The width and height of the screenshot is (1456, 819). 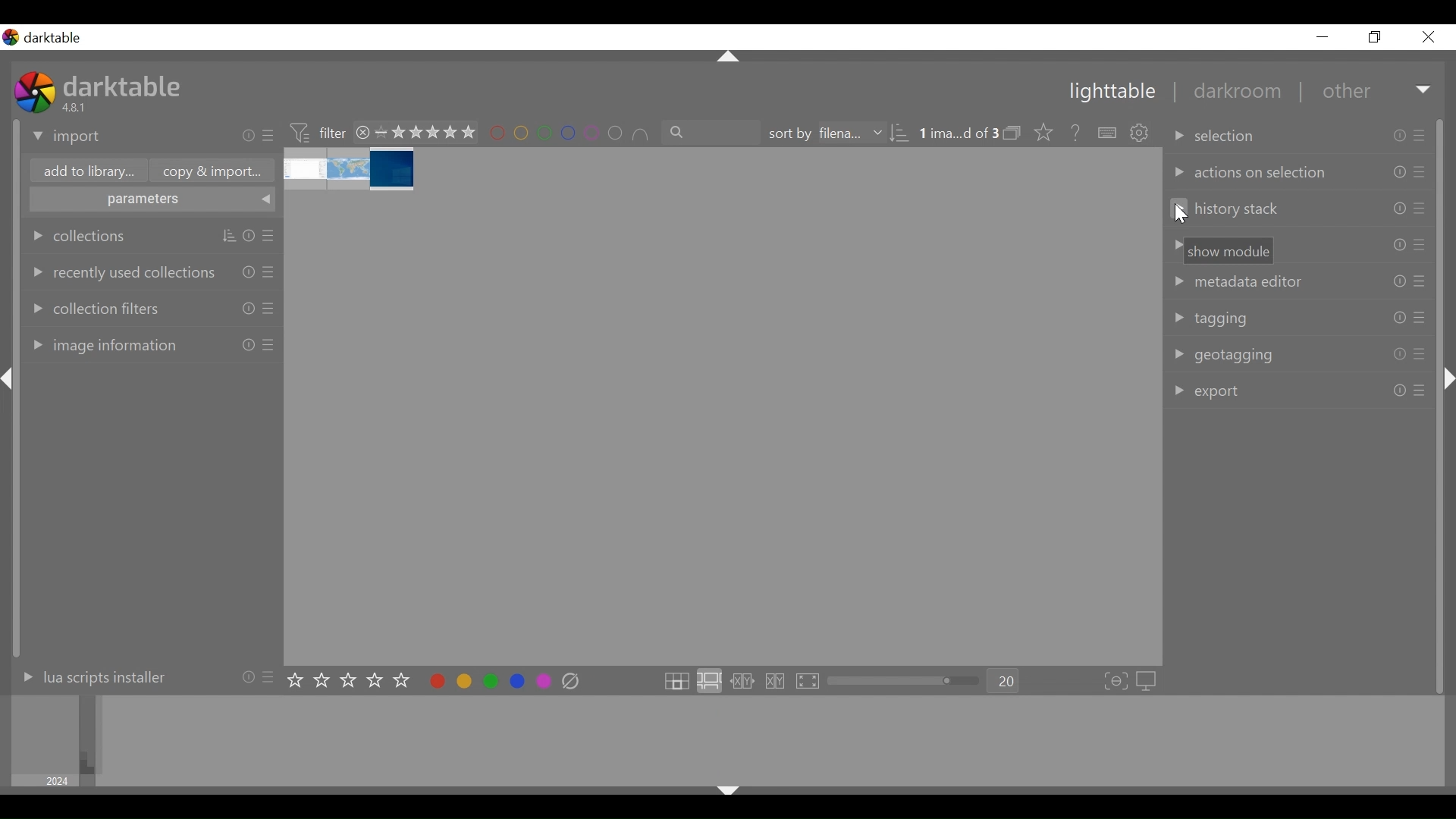 I want to click on copy & import, so click(x=208, y=171).